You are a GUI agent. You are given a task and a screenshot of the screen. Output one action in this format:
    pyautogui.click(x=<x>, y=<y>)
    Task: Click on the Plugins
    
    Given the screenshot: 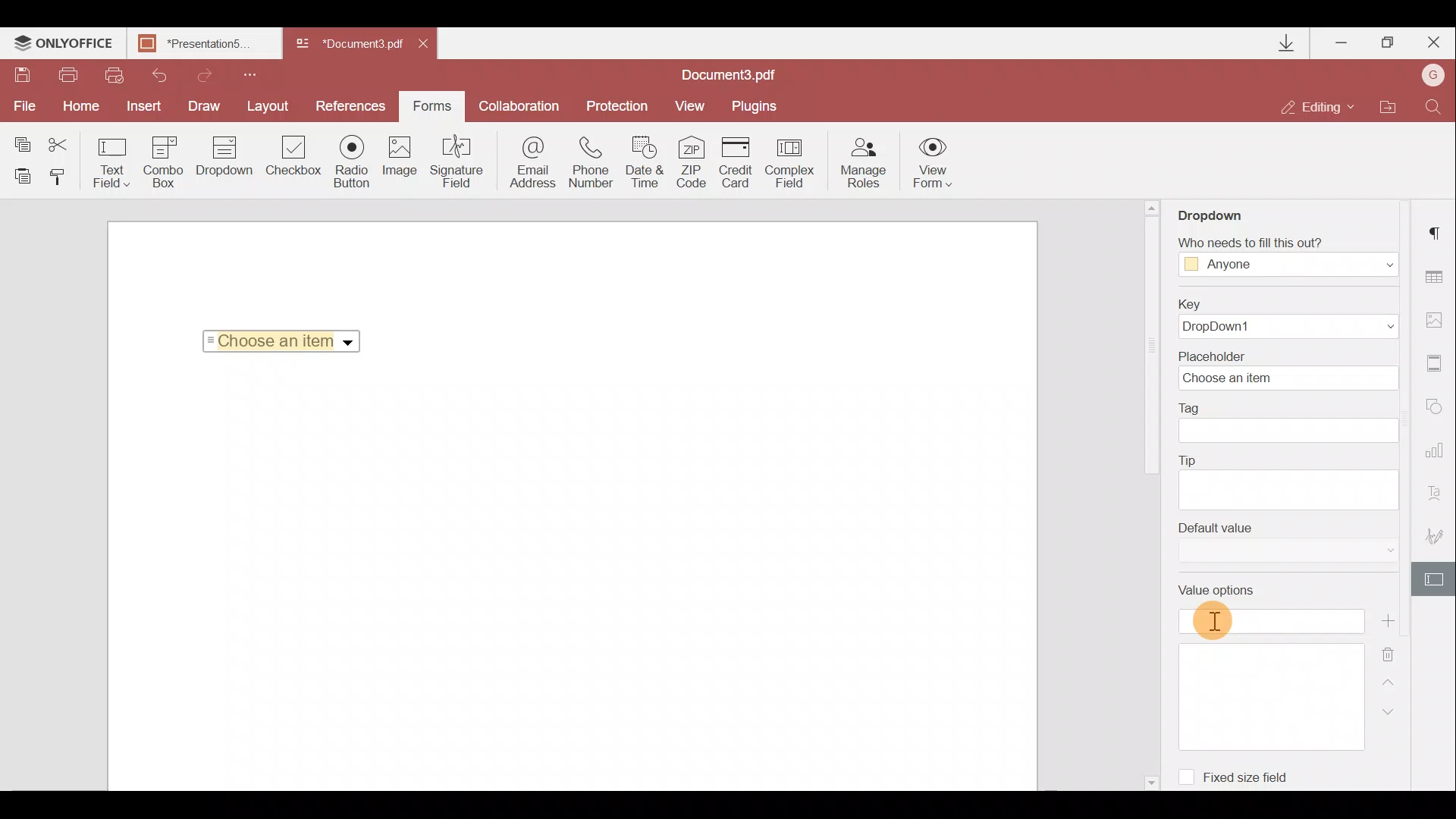 What is the action you would take?
    pyautogui.click(x=757, y=104)
    